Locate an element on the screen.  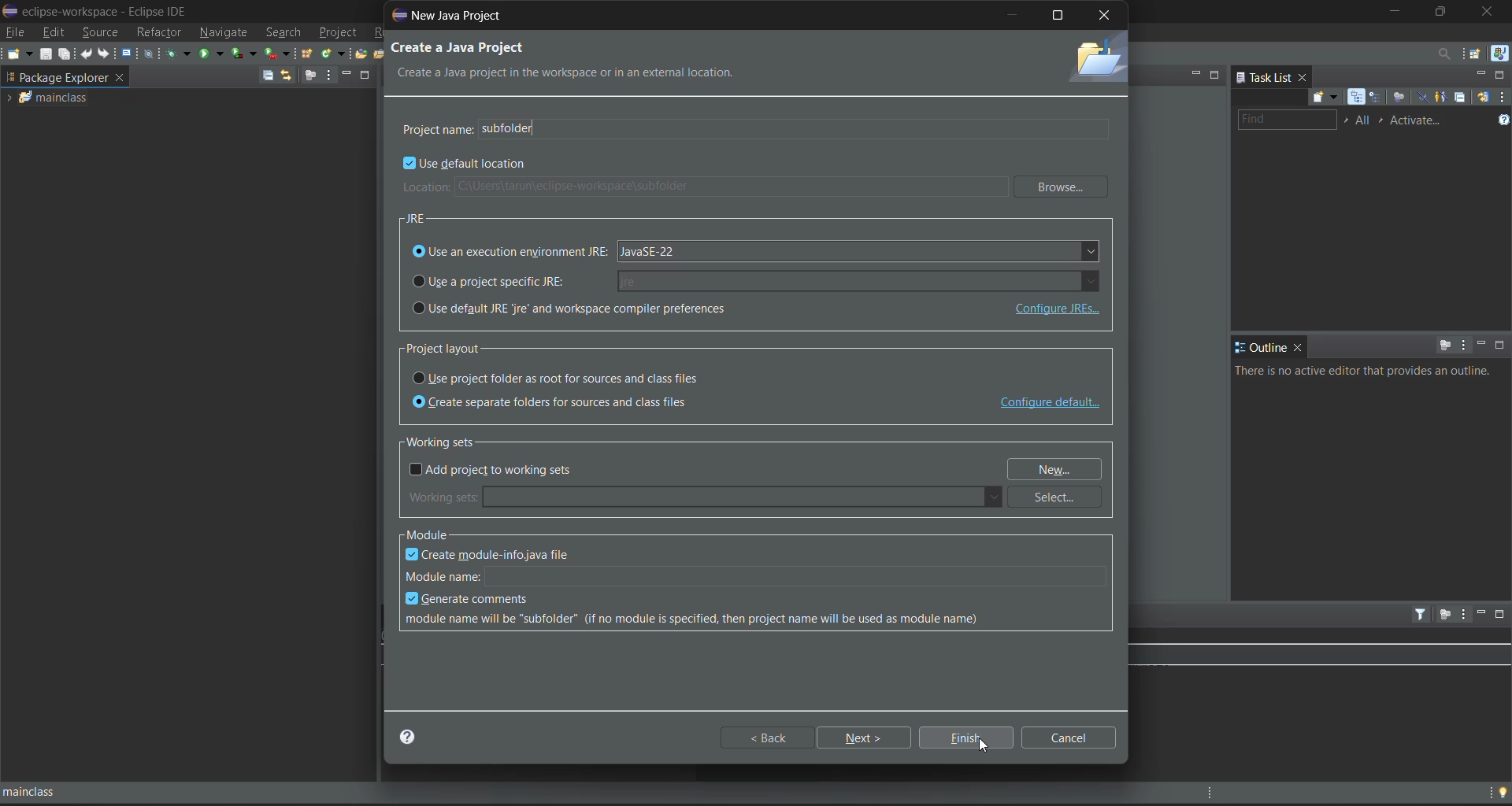
use default location is located at coordinates (467, 165).